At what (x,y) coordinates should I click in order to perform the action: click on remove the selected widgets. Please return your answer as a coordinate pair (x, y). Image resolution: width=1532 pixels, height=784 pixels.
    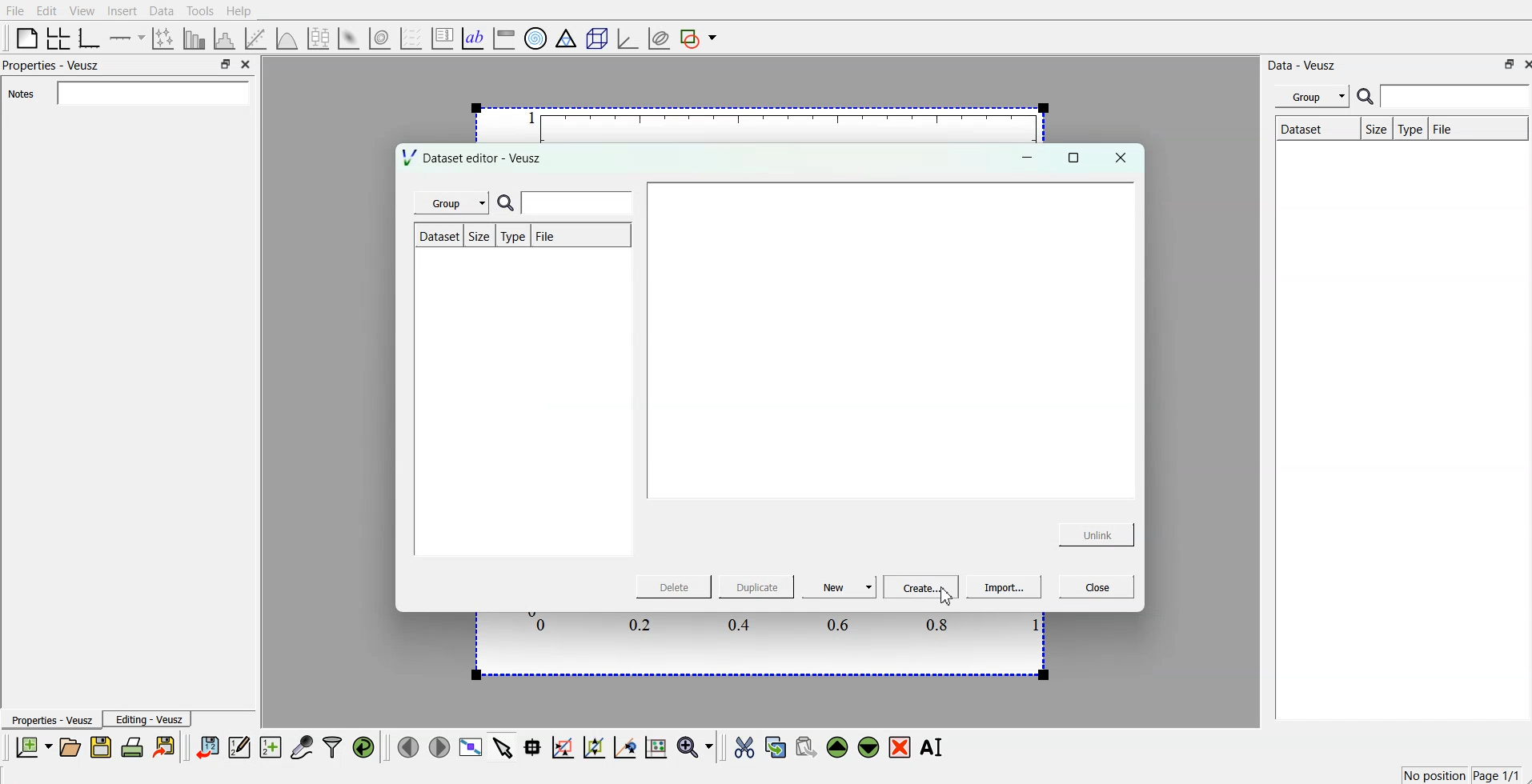
    Looking at the image, I should click on (900, 748).